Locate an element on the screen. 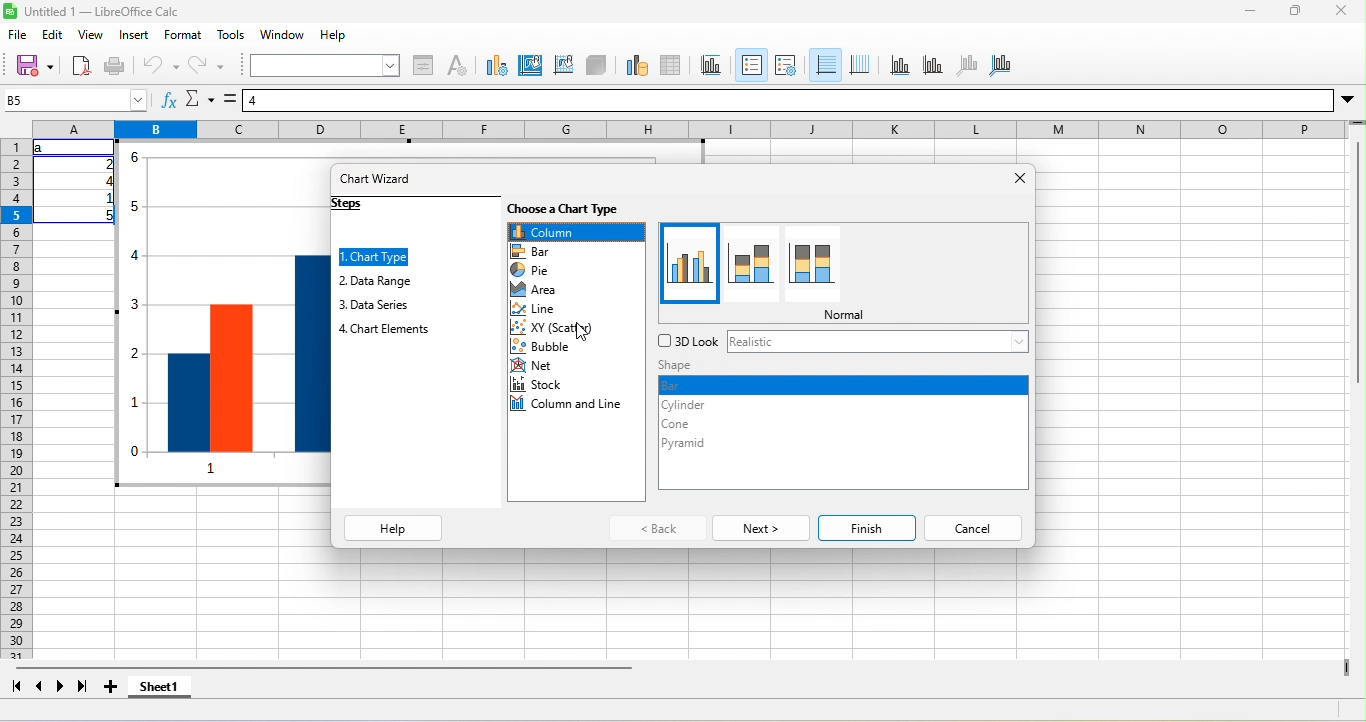 This screenshot has width=1366, height=722. tools is located at coordinates (231, 35).